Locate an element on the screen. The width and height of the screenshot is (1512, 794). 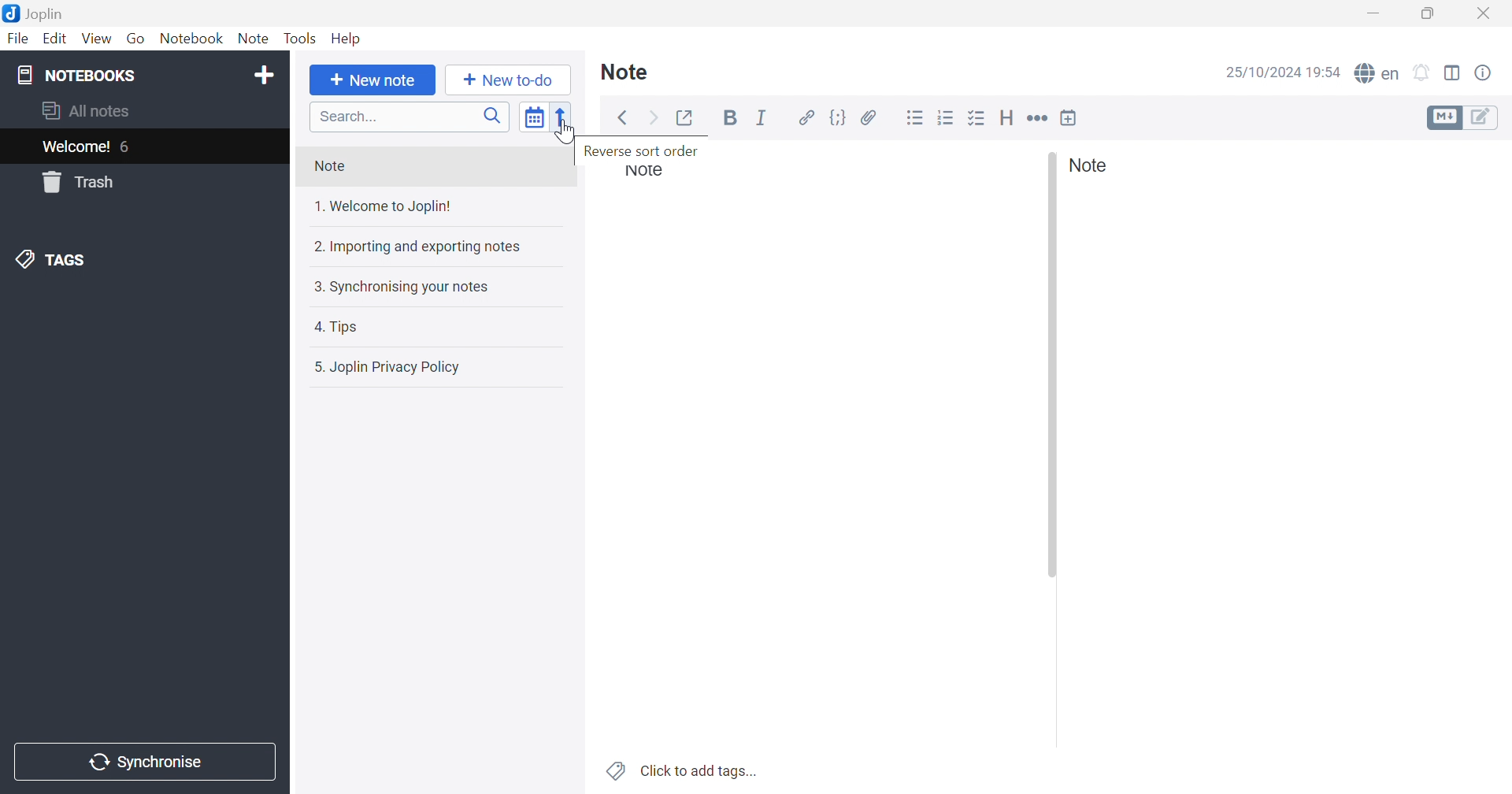
Number is located at coordinates (948, 117).